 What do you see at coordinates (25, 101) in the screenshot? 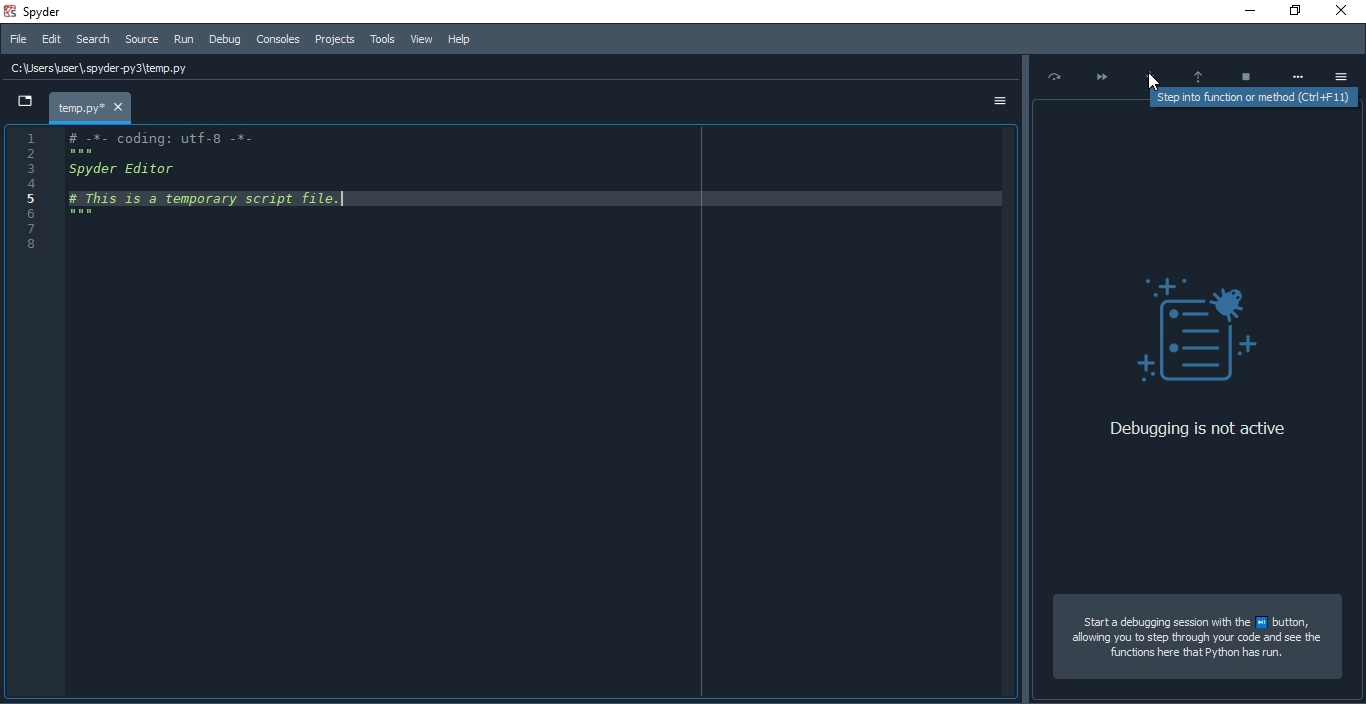
I see `dropdown` at bounding box center [25, 101].